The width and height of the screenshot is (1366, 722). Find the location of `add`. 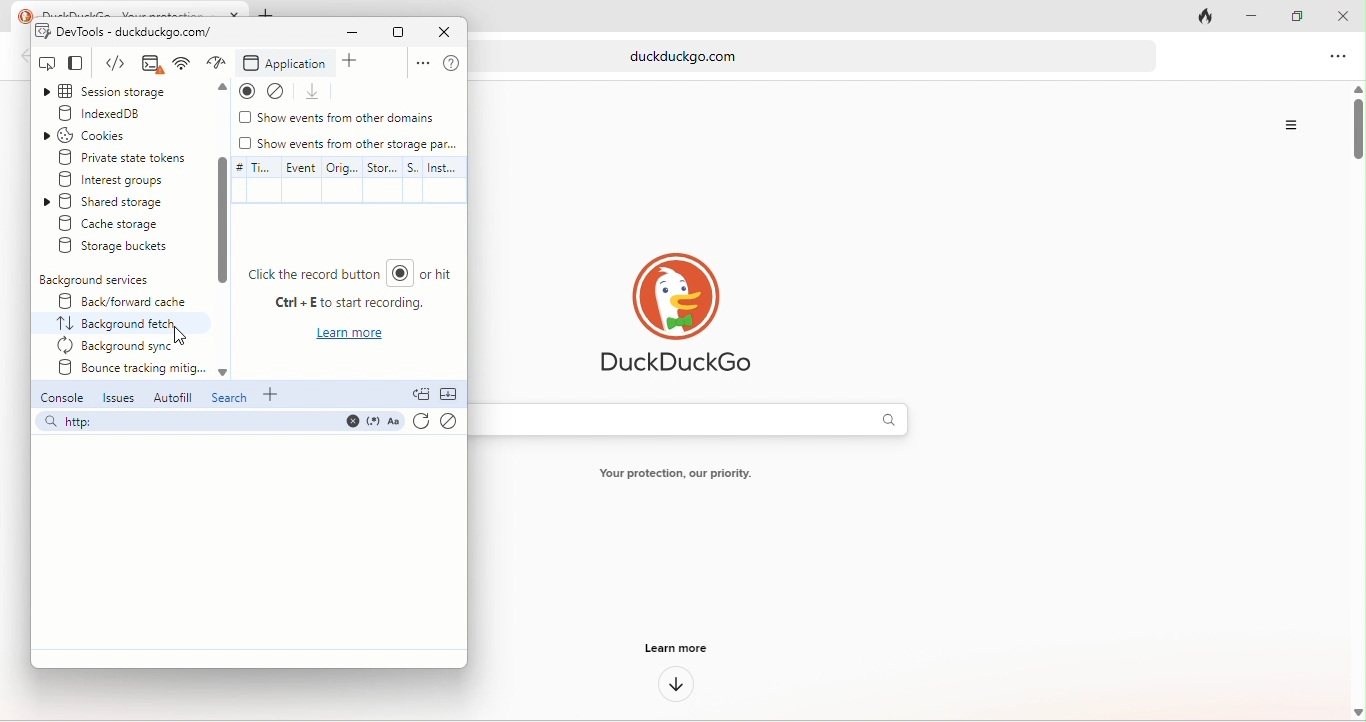

add is located at coordinates (275, 395).